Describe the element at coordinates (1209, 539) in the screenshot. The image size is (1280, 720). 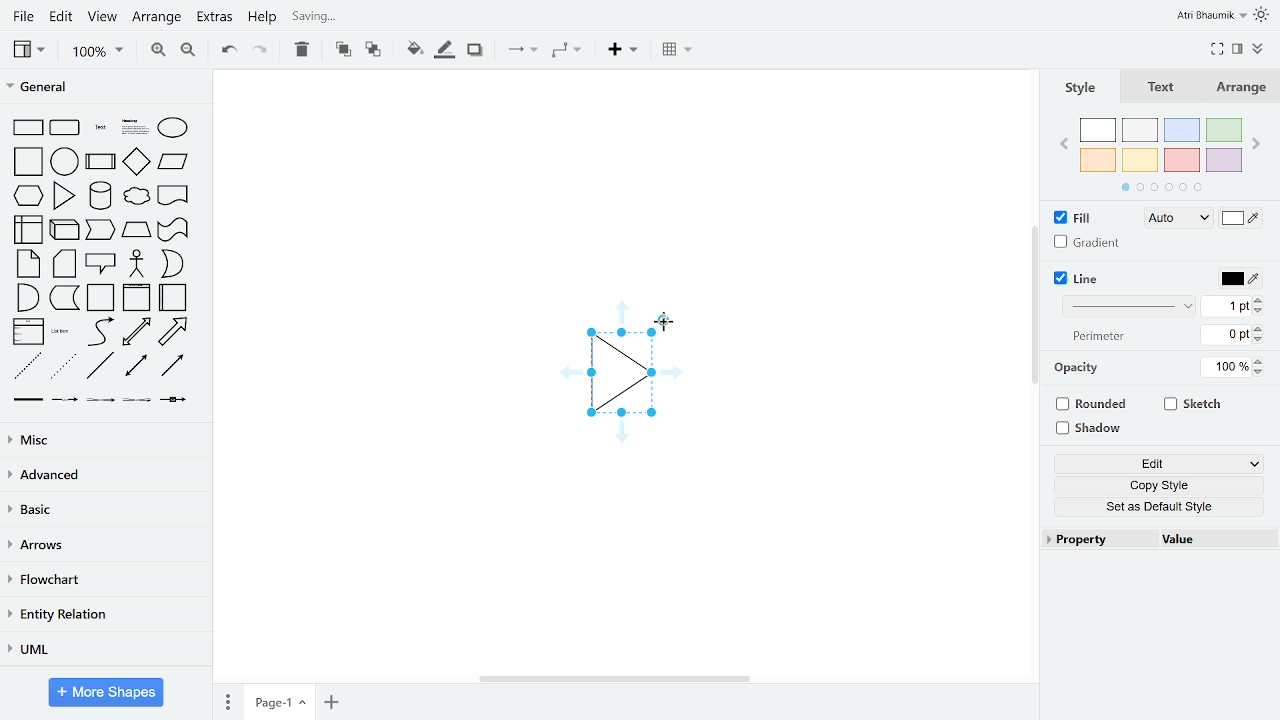
I see `value` at that location.